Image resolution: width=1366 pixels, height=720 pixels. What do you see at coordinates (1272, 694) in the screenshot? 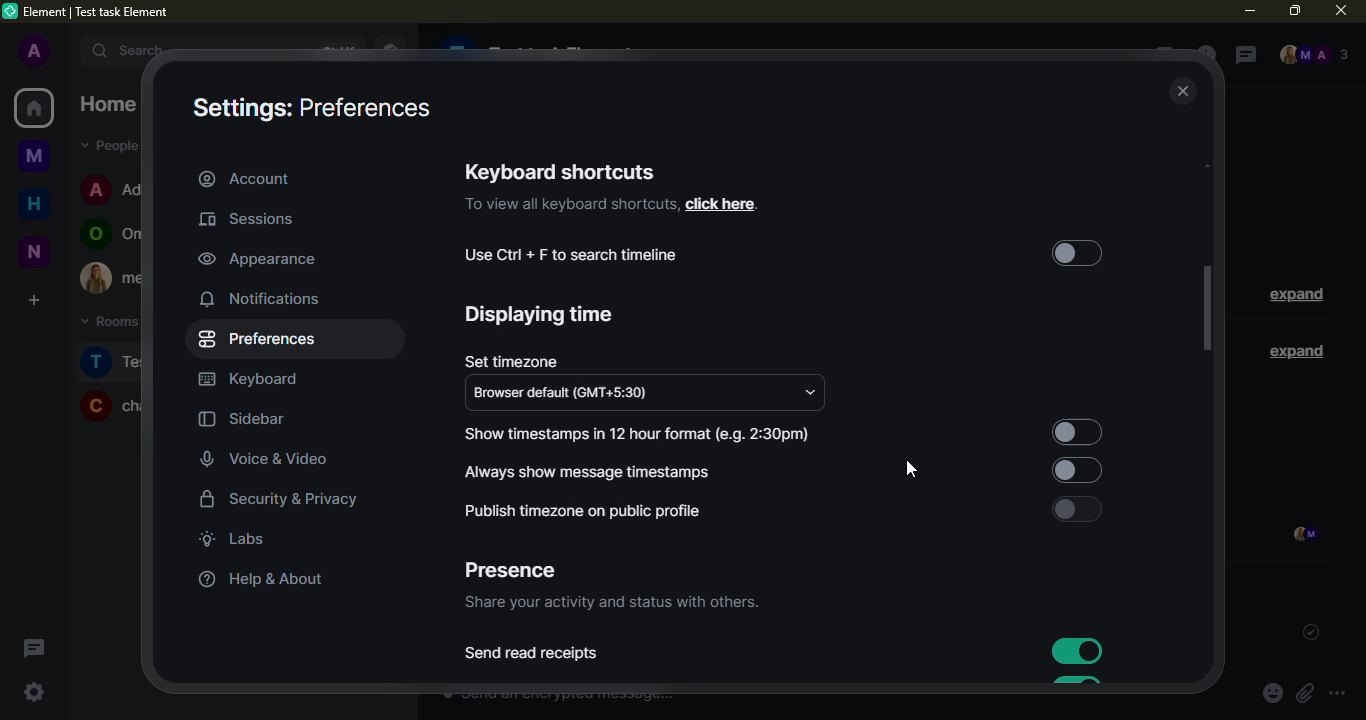
I see `emoji` at bounding box center [1272, 694].